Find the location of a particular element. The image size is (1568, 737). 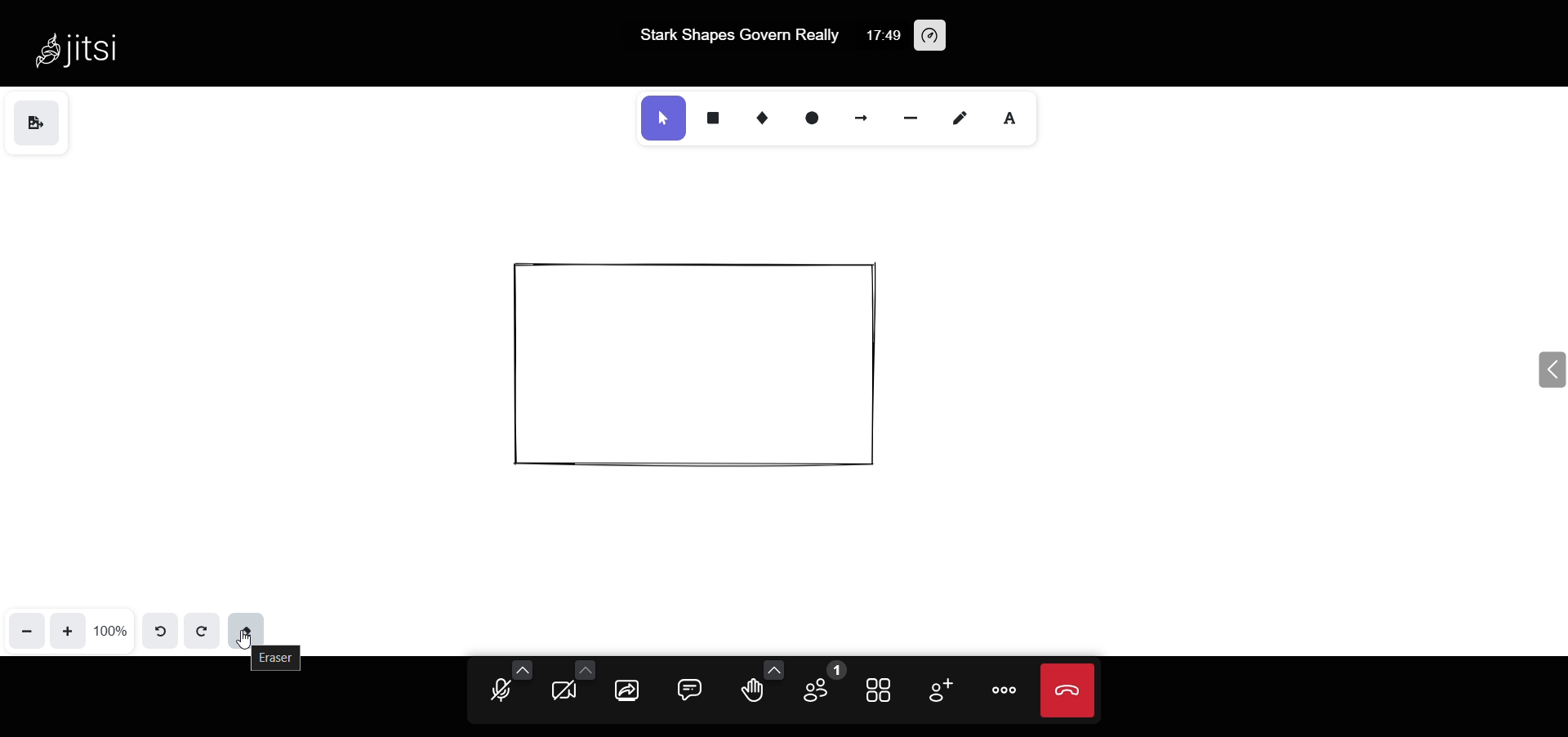

more is located at coordinates (1006, 689).